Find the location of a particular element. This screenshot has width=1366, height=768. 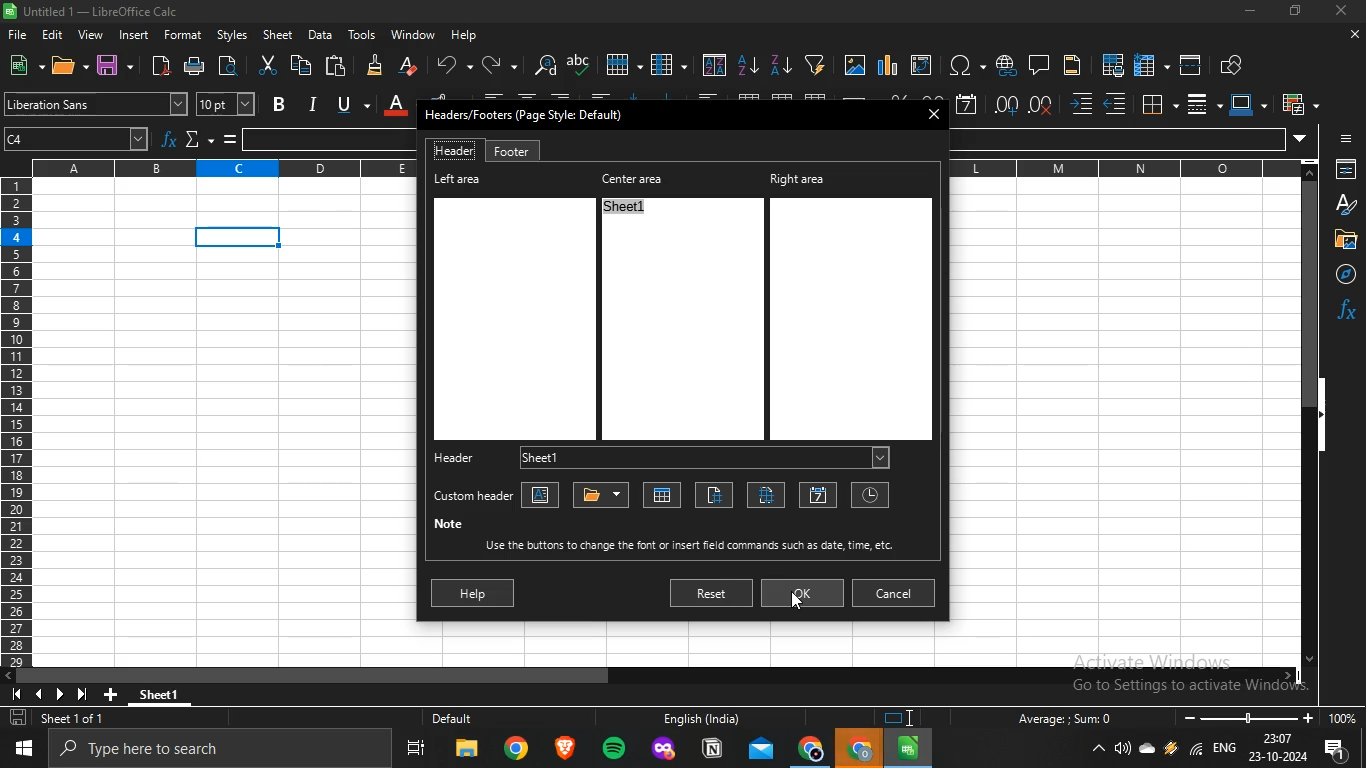

insert or edit pivot table is located at coordinates (920, 64).